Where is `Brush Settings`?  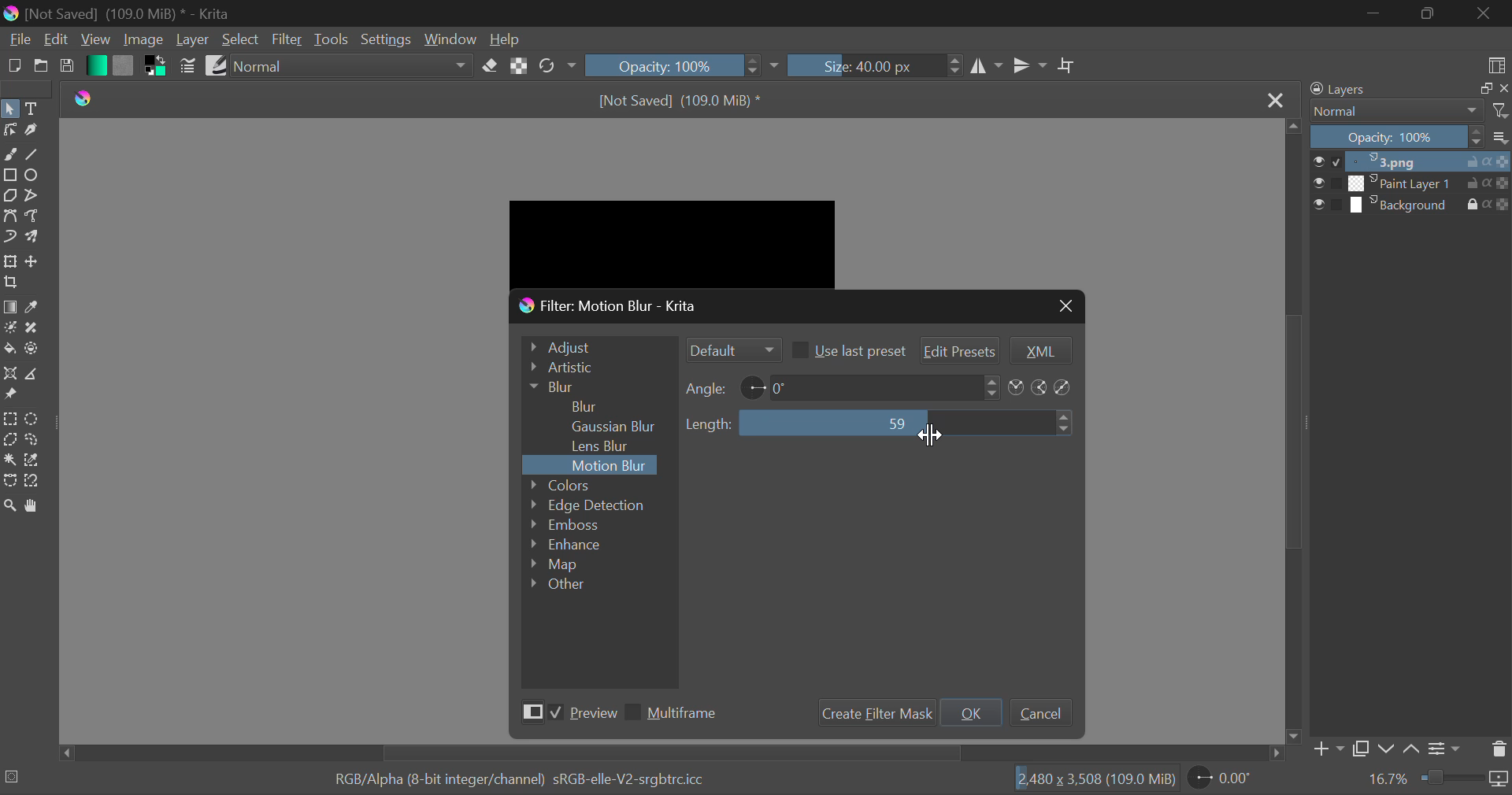
Brush Settings is located at coordinates (189, 66).